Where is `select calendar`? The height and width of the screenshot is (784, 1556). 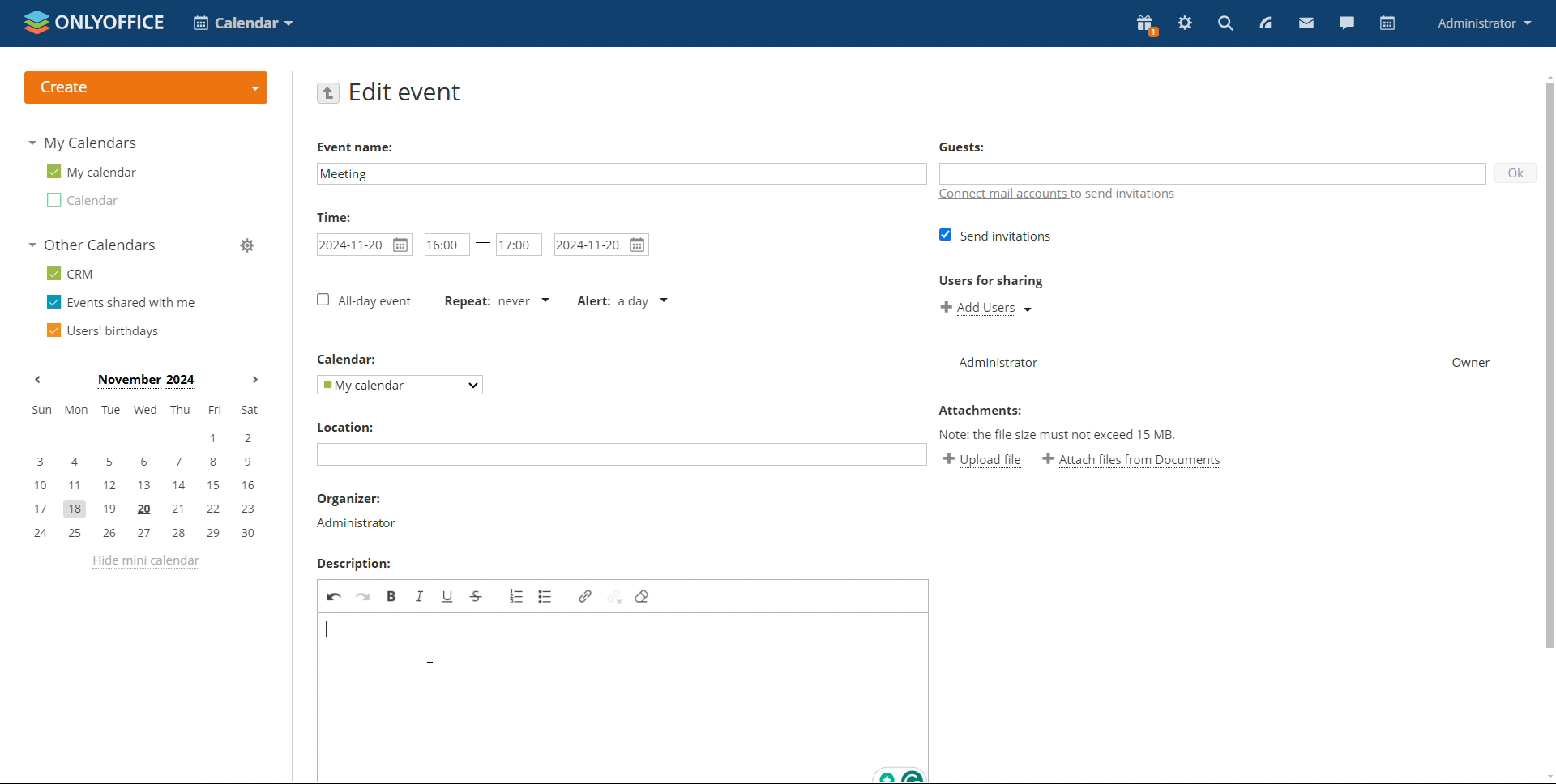 select calendar is located at coordinates (400, 385).